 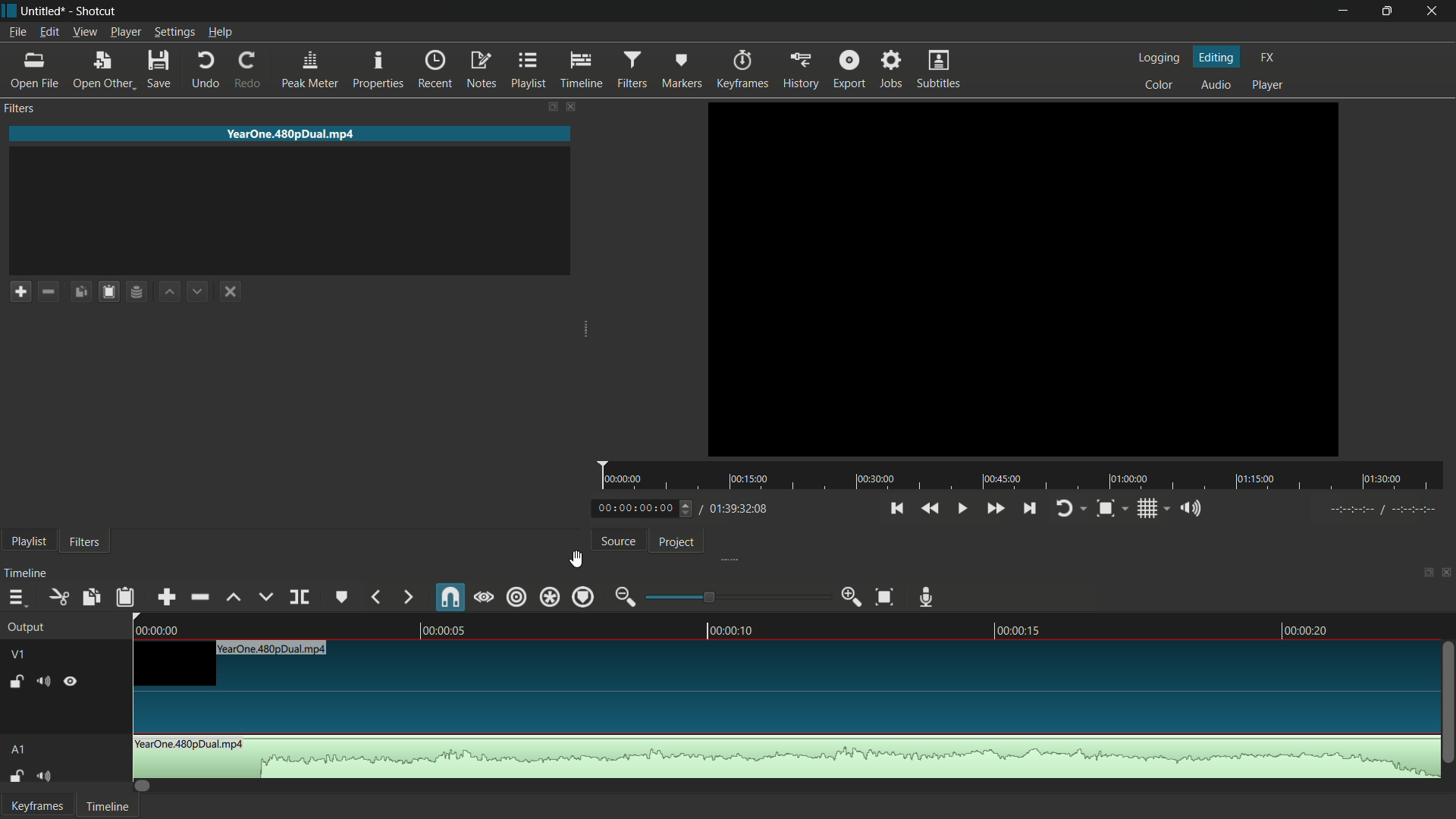 What do you see at coordinates (15, 598) in the screenshot?
I see `timeline menu` at bounding box center [15, 598].